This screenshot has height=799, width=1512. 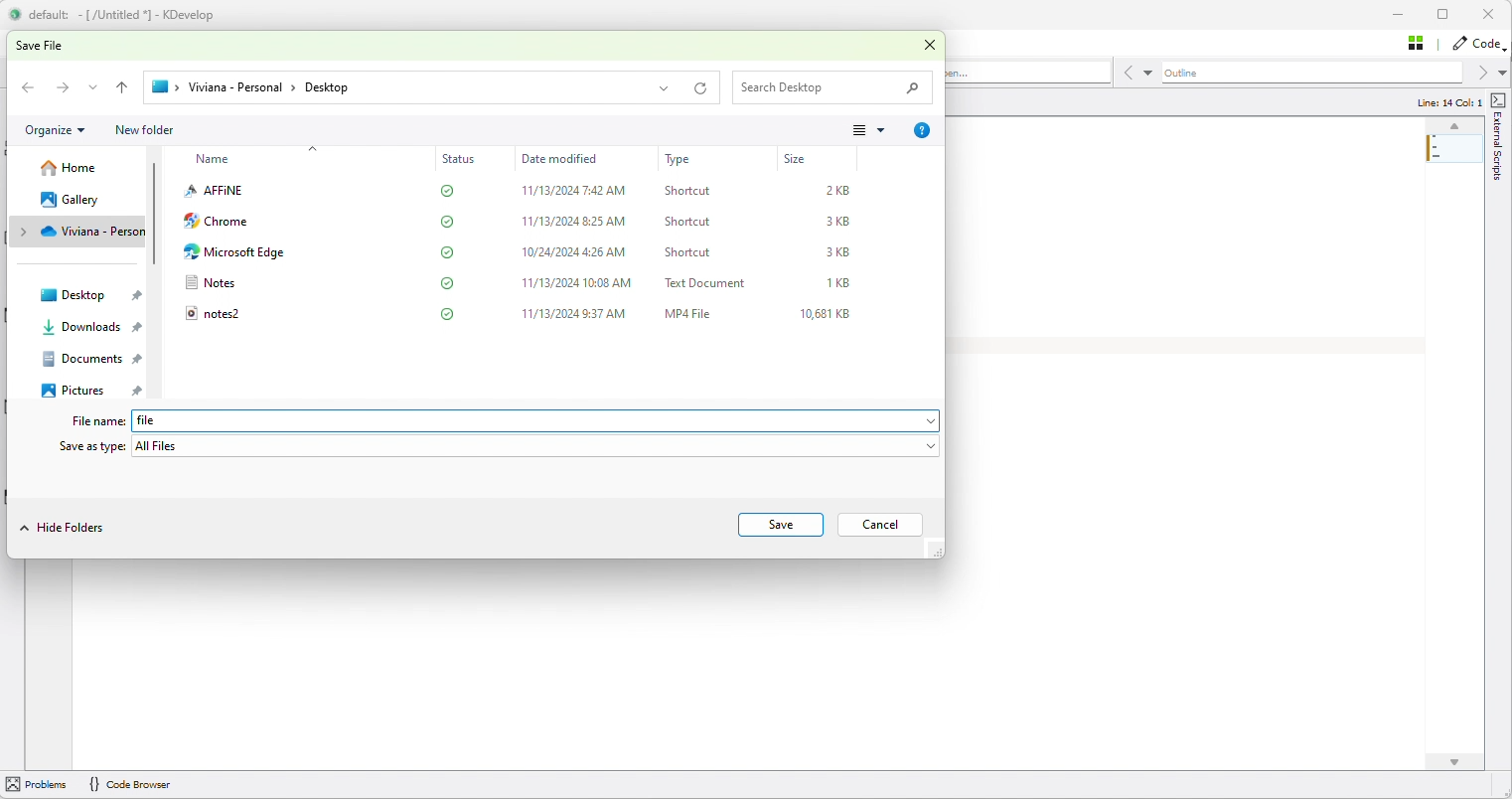 What do you see at coordinates (835, 86) in the screenshot?
I see `Search desktop` at bounding box center [835, 86].